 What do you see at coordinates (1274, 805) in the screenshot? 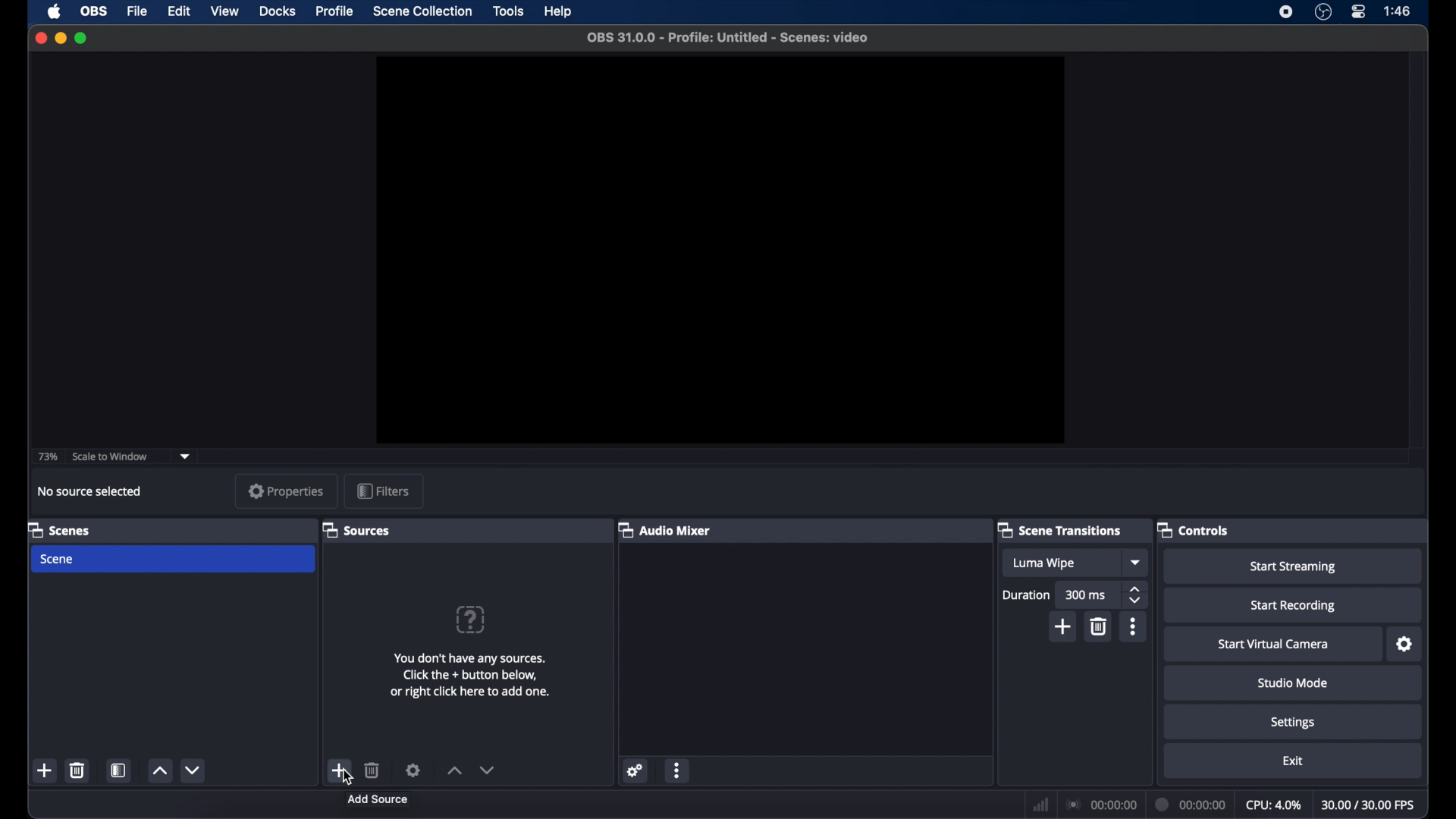
I see `cpu` at bounding box center [1274, 805].